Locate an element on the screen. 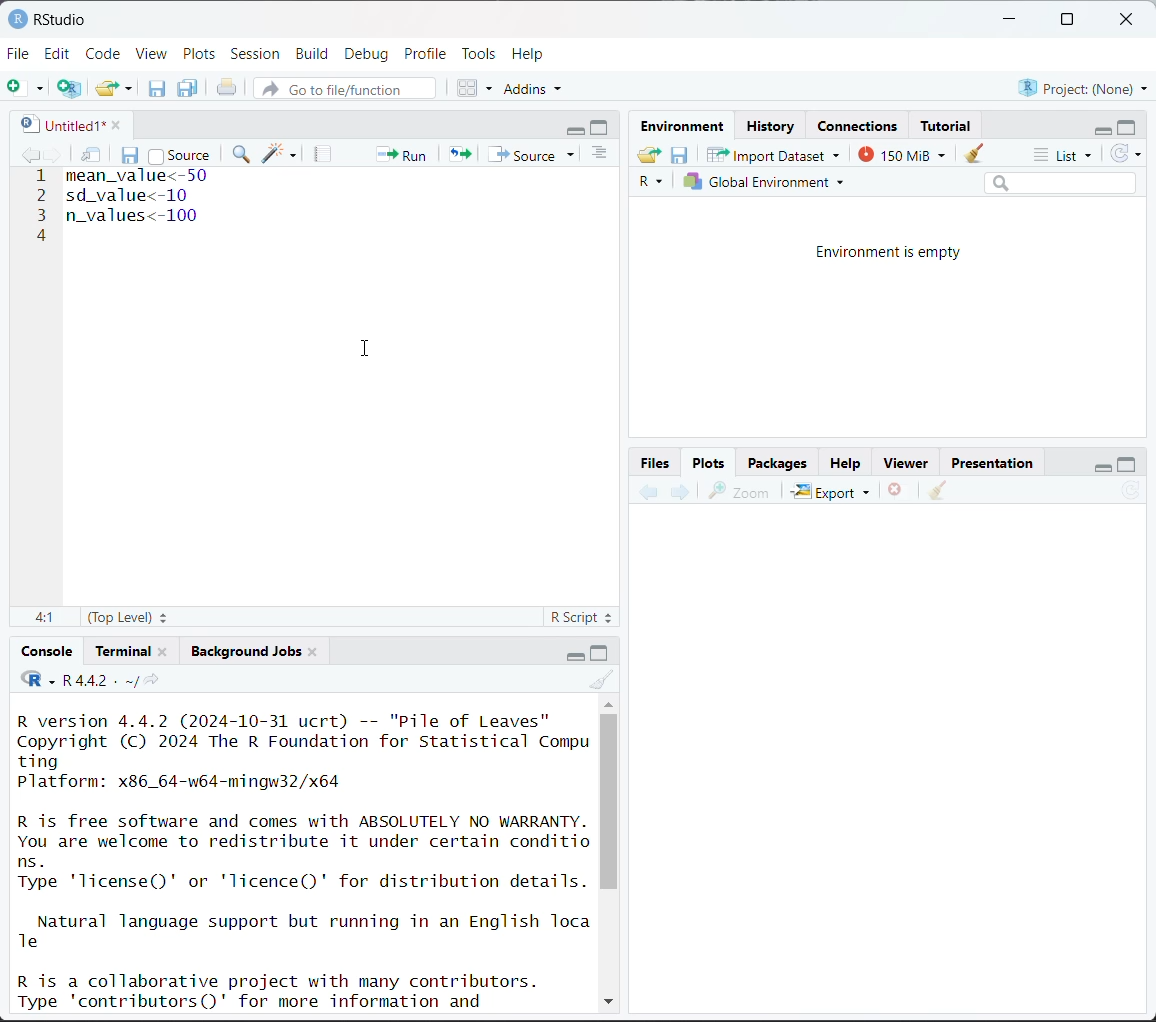  Import Dataset is located at coordinates (774, 154).